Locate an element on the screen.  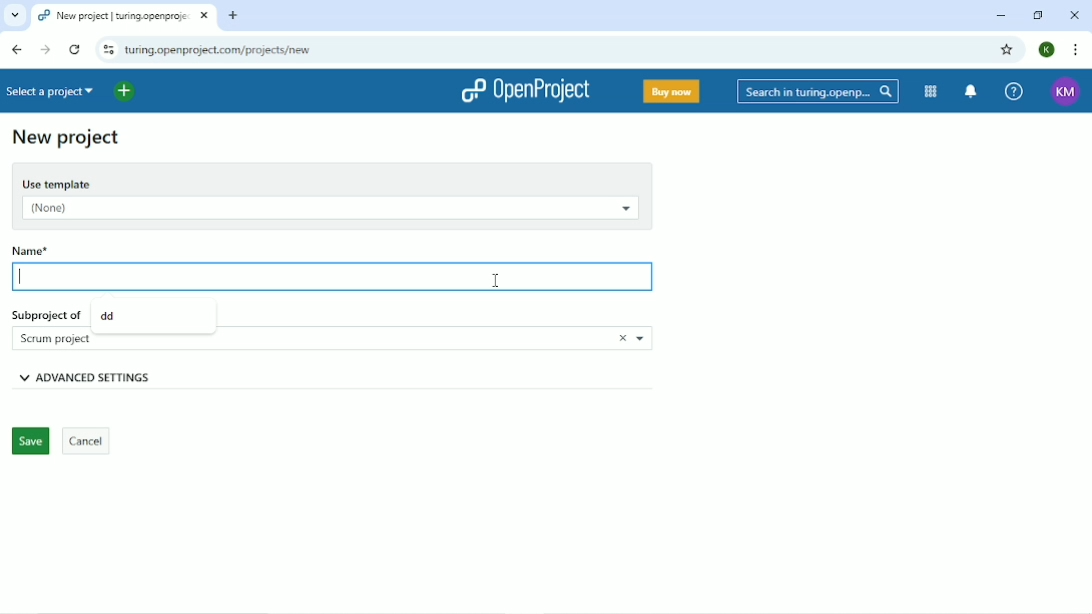
OpenProject is located at coordinates (526, 91).